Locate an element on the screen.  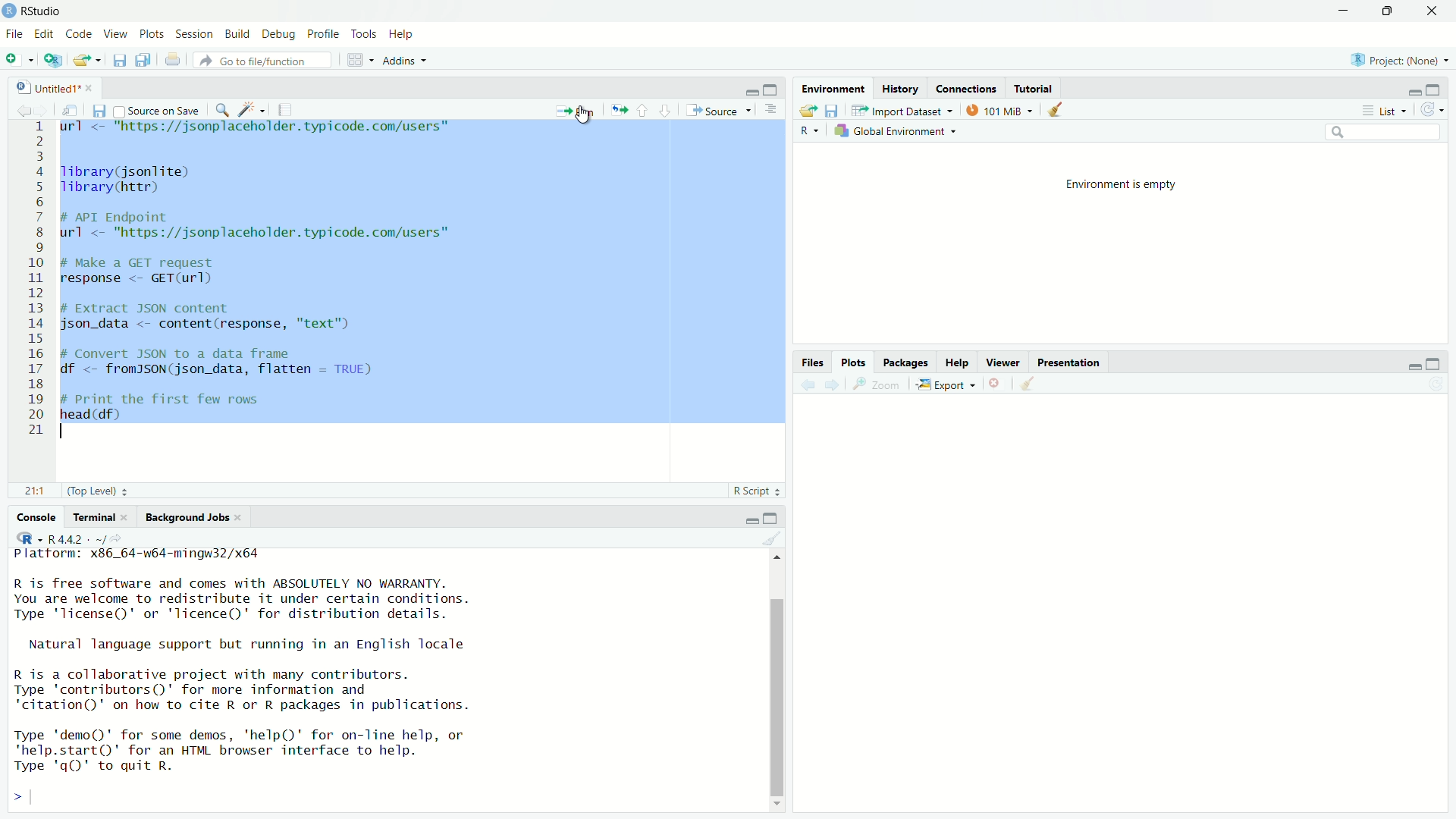
Delete is located at coordinates (994, 385).